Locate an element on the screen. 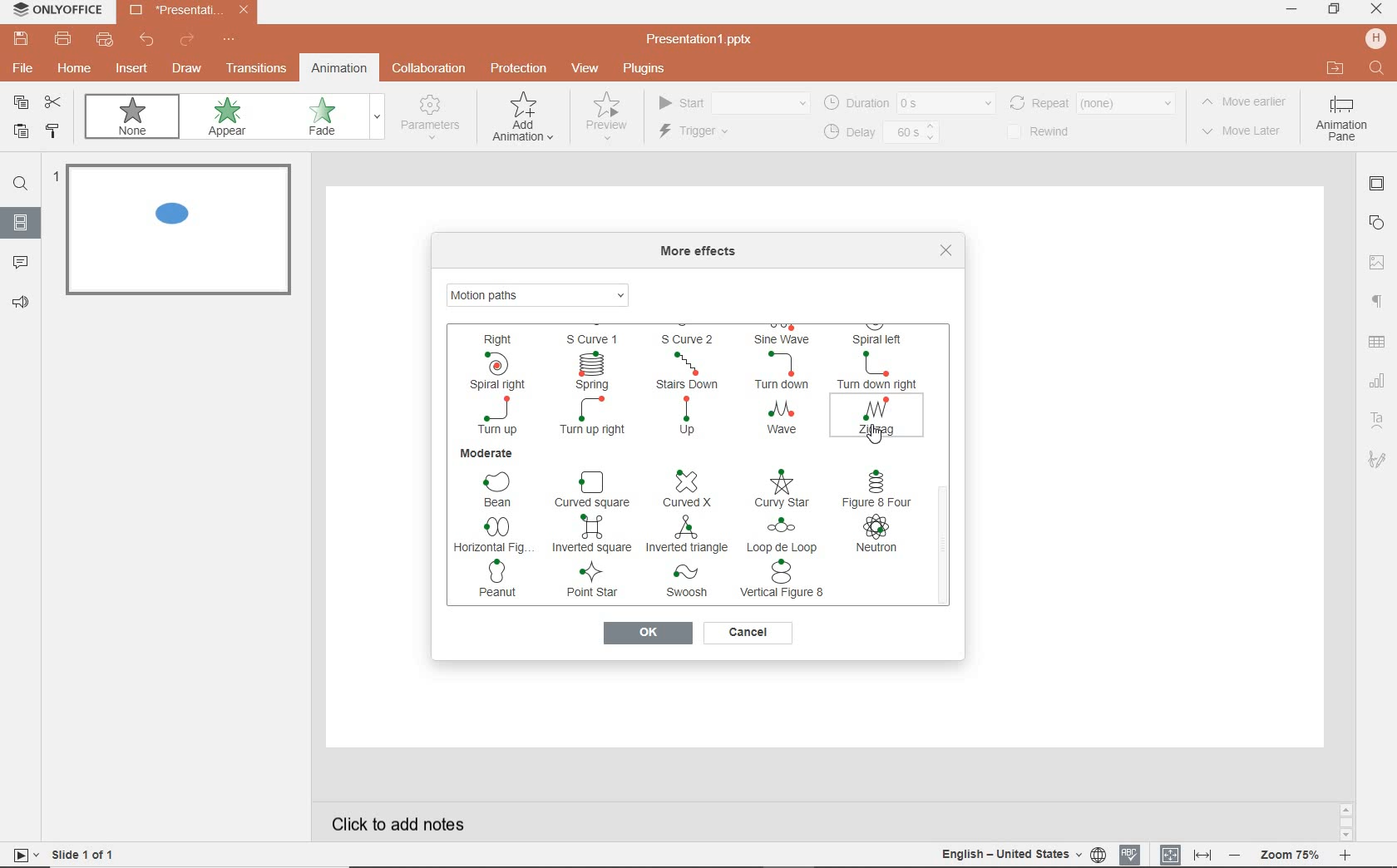 The height and width of the screenshot is (868, 1397). table settings is located at coordinates (1379, 343).